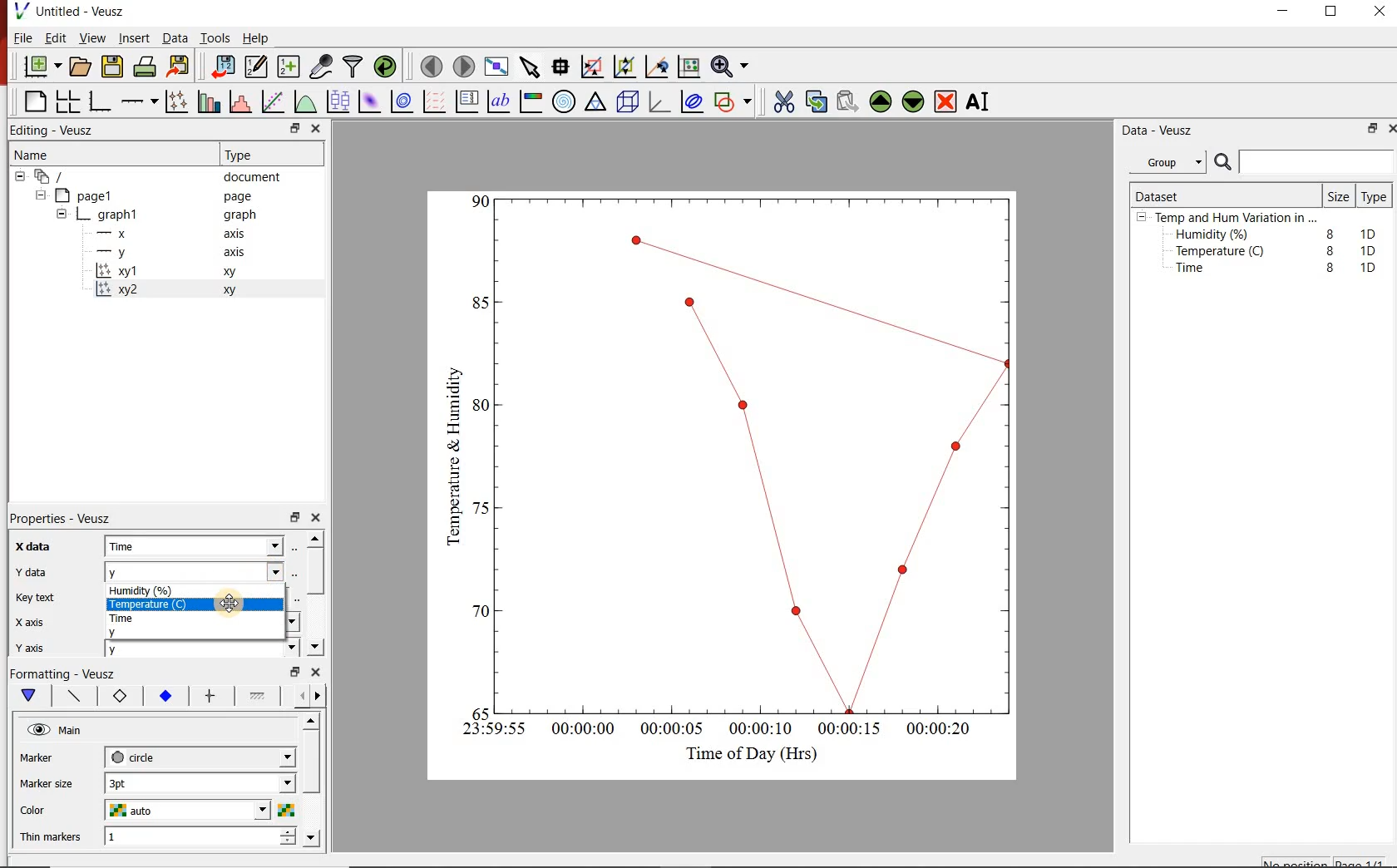  I want to click on add a shape to the plot, so click(737, 104).